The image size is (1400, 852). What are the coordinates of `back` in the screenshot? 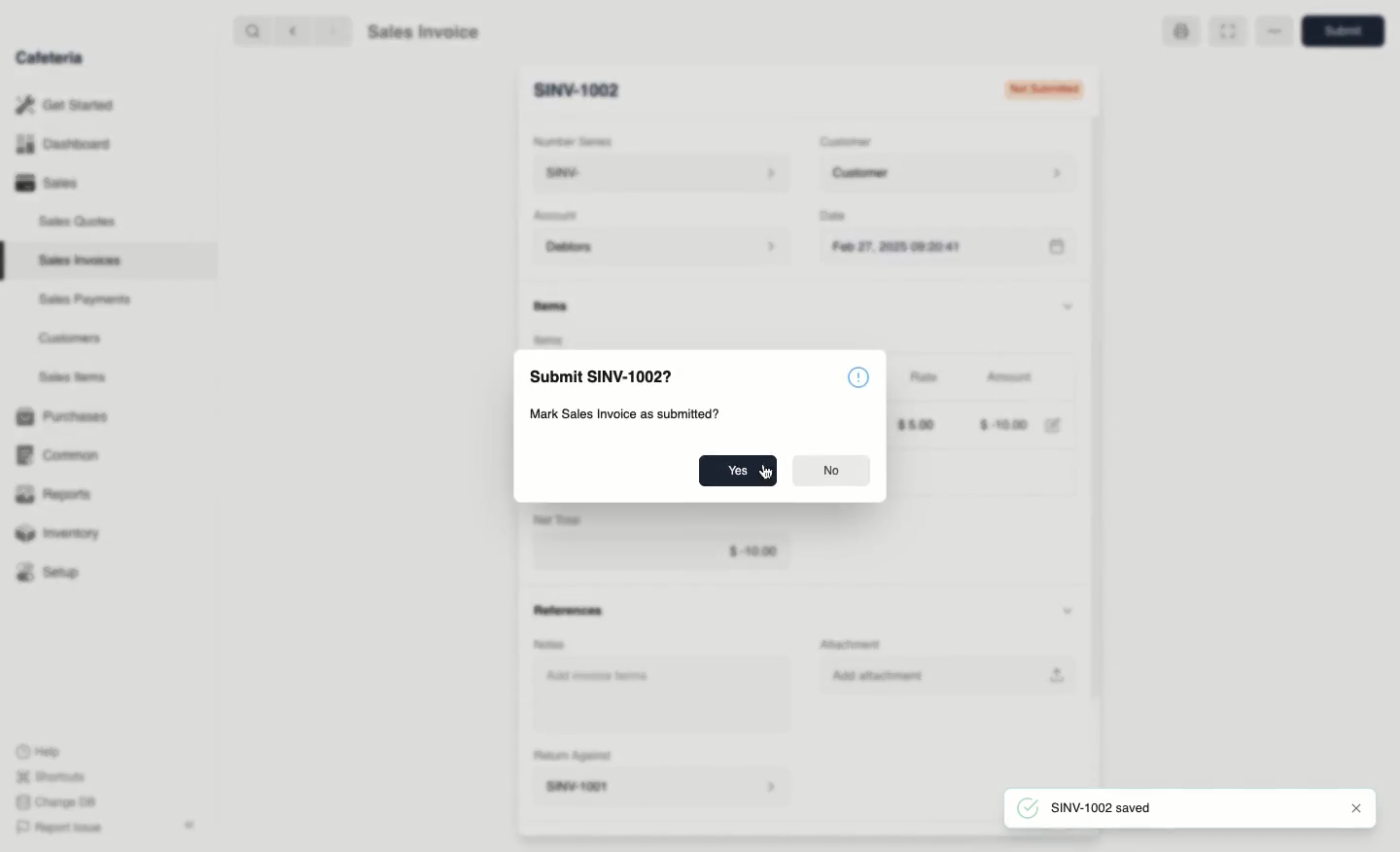 It's located at (296, 31).